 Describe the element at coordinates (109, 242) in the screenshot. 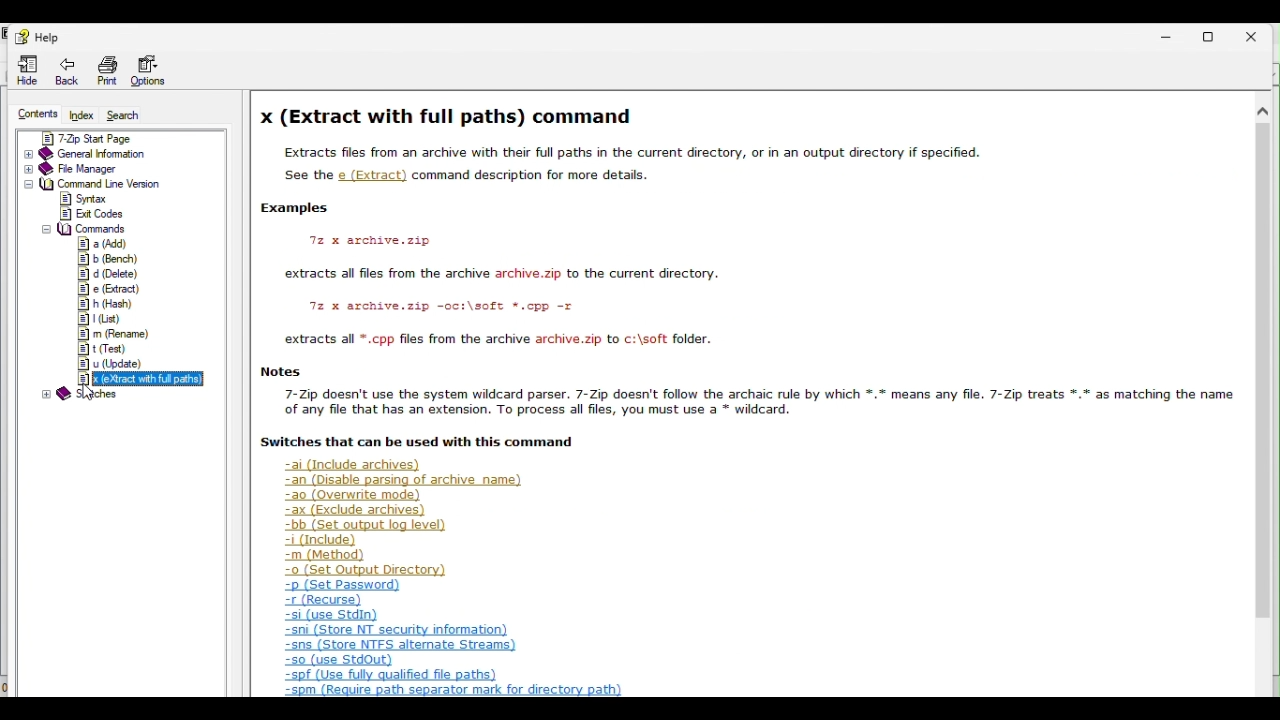

I see `a (Add)` at that location.